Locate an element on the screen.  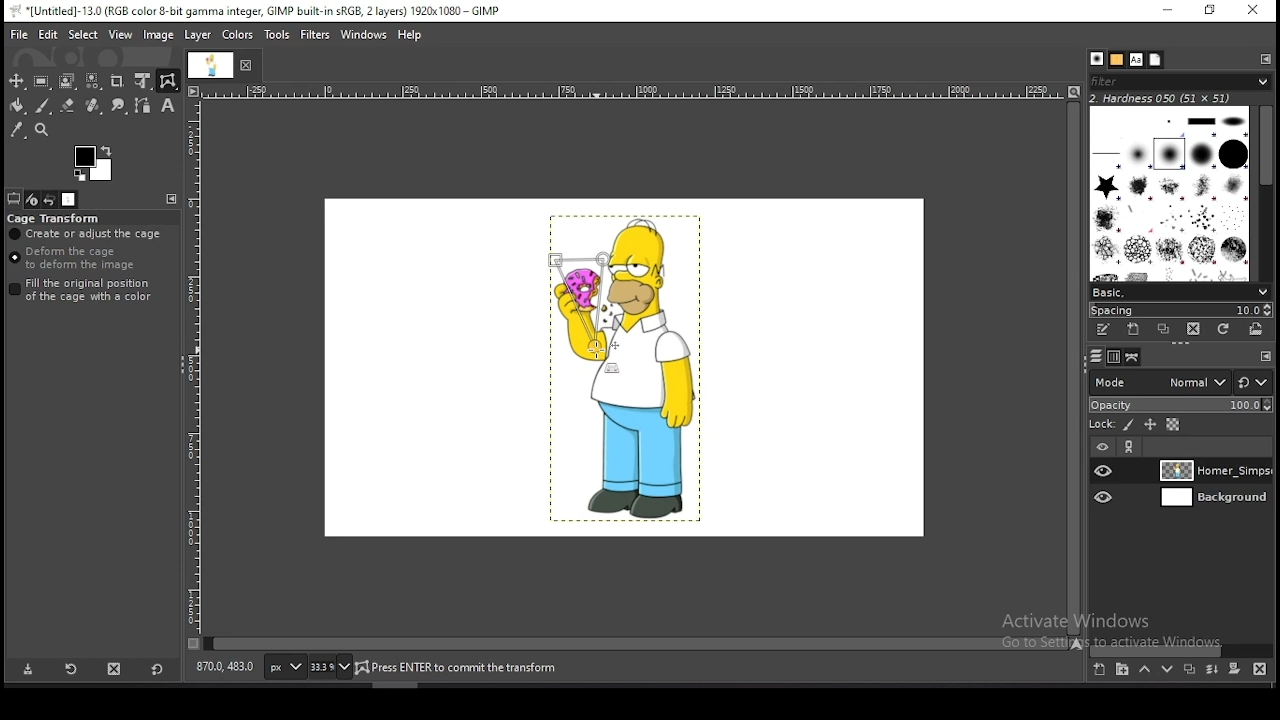
tools is located at coordinates (278, 35).